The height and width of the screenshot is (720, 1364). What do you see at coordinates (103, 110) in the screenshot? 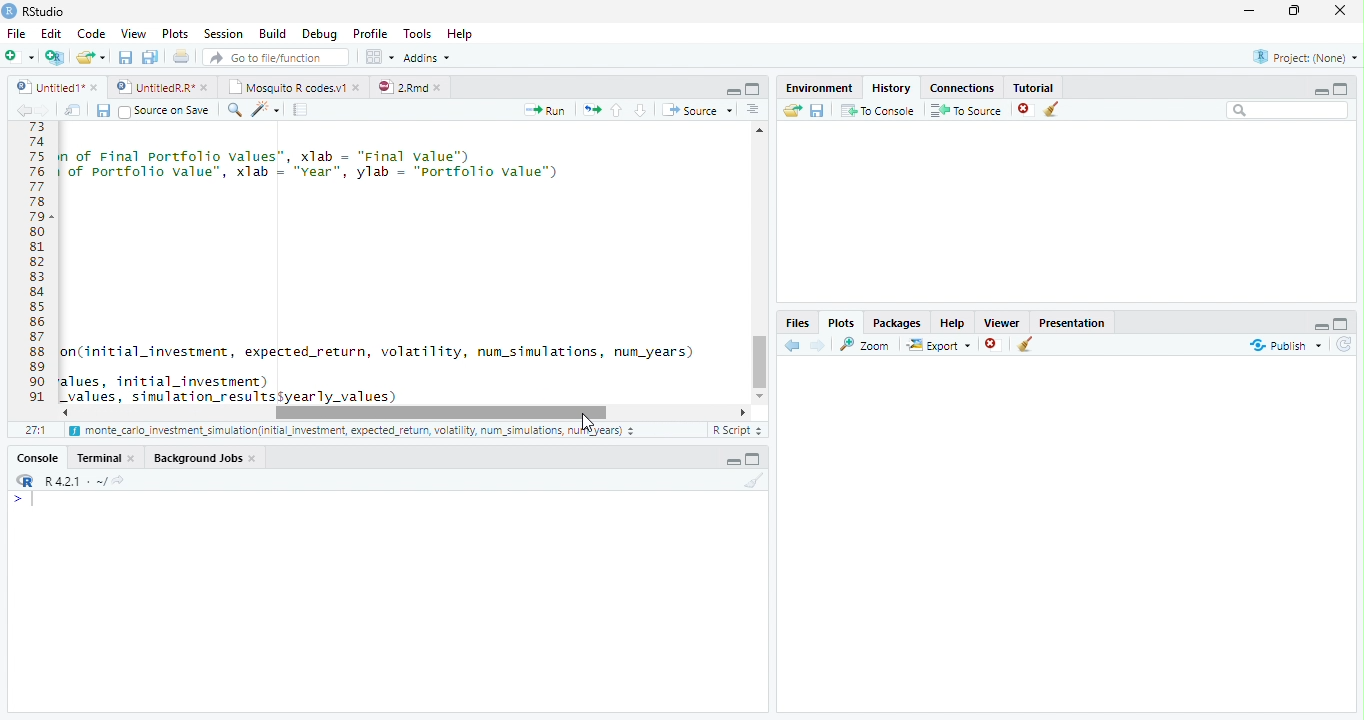
I see `Save` at bounding box center [103, 110].